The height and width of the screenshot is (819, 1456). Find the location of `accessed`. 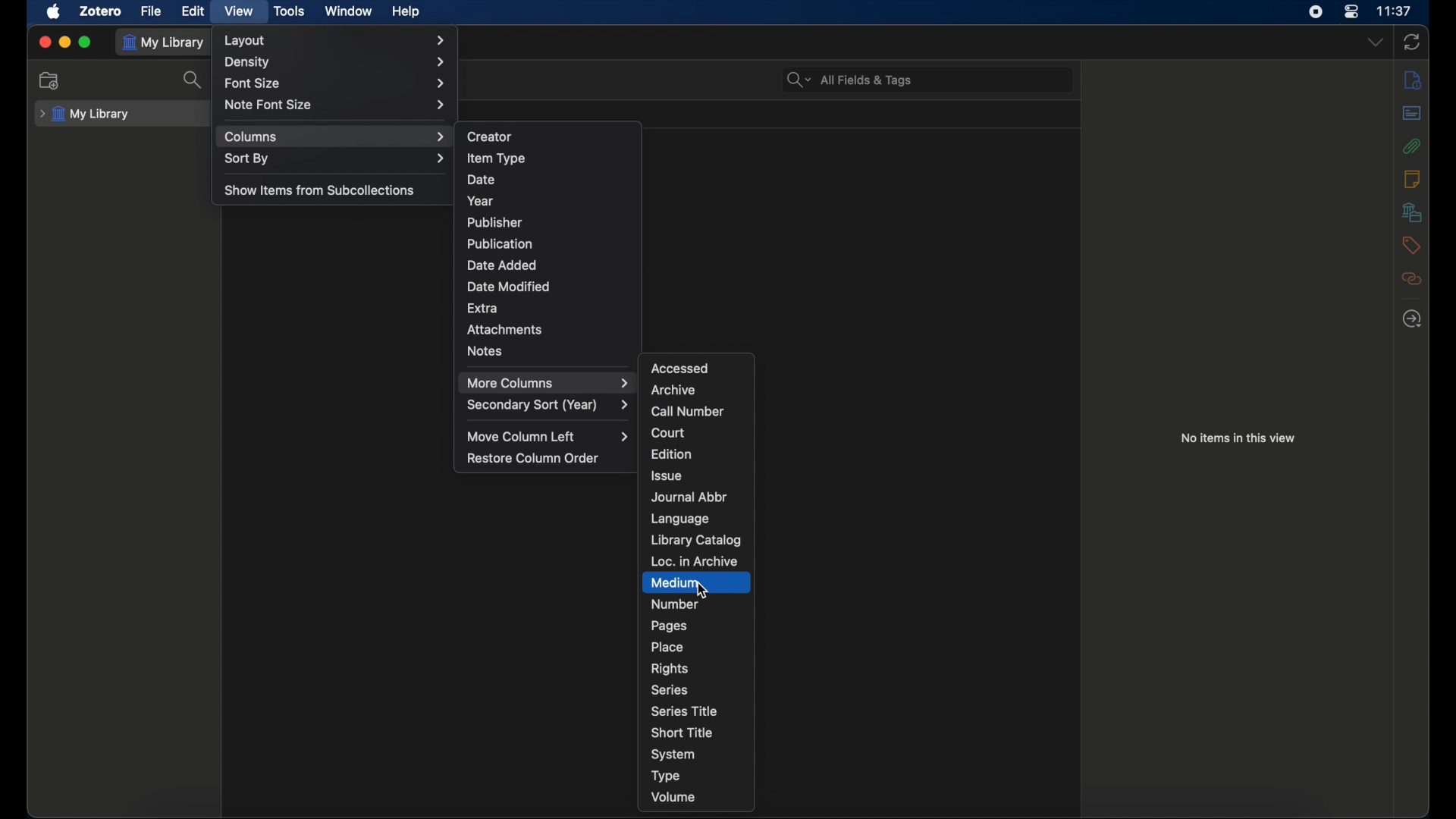

accessed is located at coordinates (681, 368).